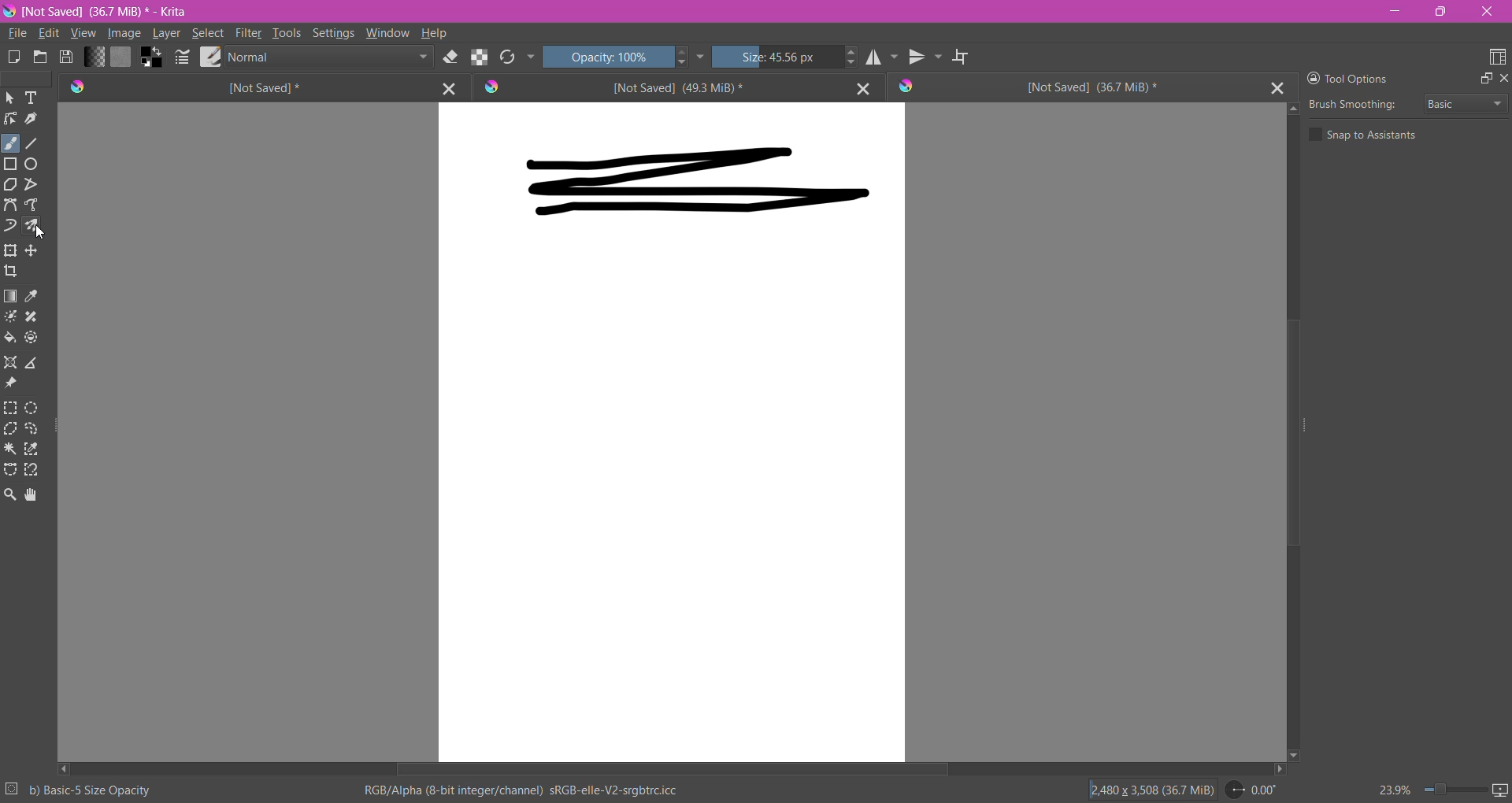 This screenshot has height=803, width=1512. What do you see at coordinates (1253, 791) in the screenshot?
I see `Set Rotation Level` at bounding box center [1253, 791].